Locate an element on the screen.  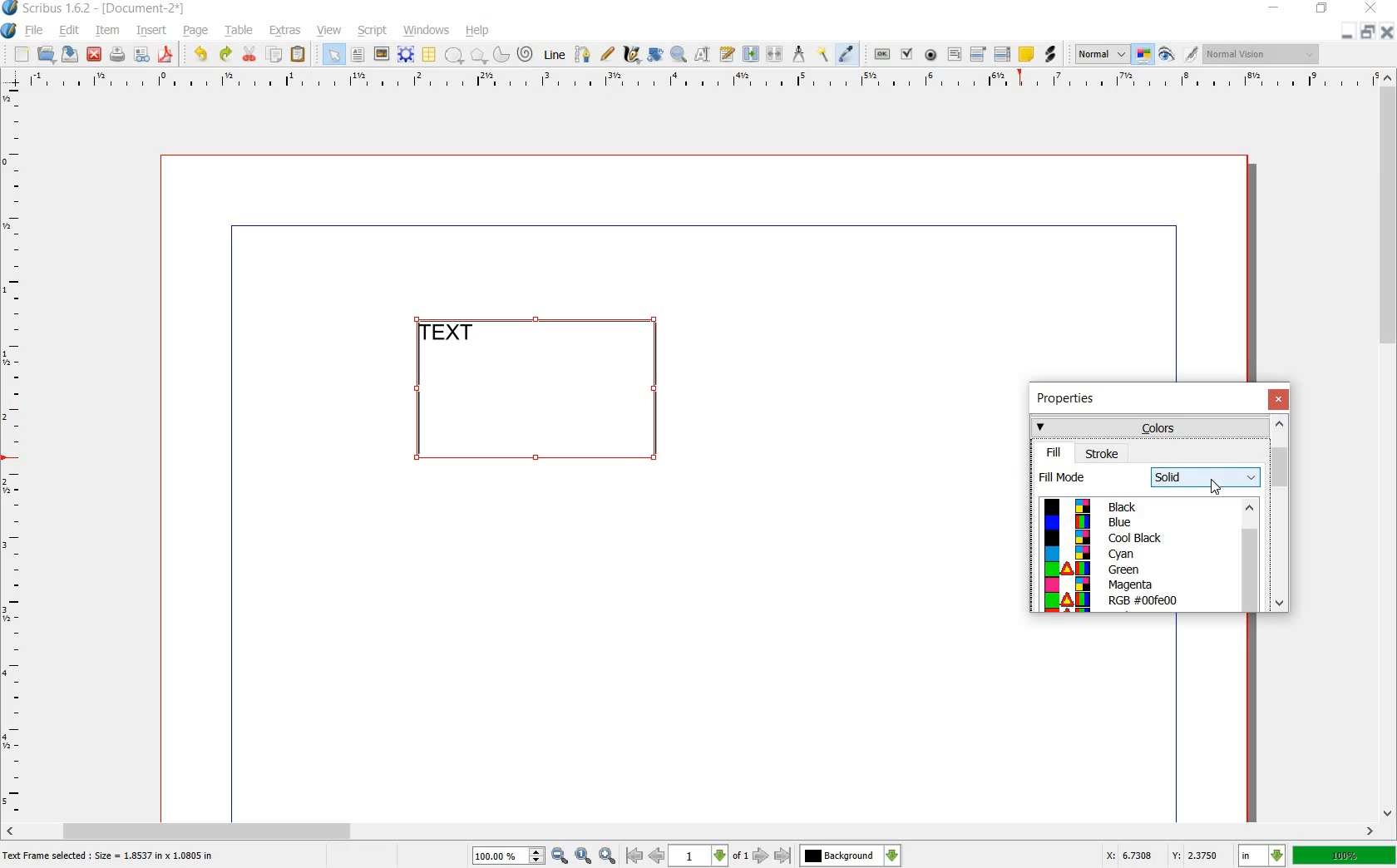
colors is located at coordinates (1148, 427).